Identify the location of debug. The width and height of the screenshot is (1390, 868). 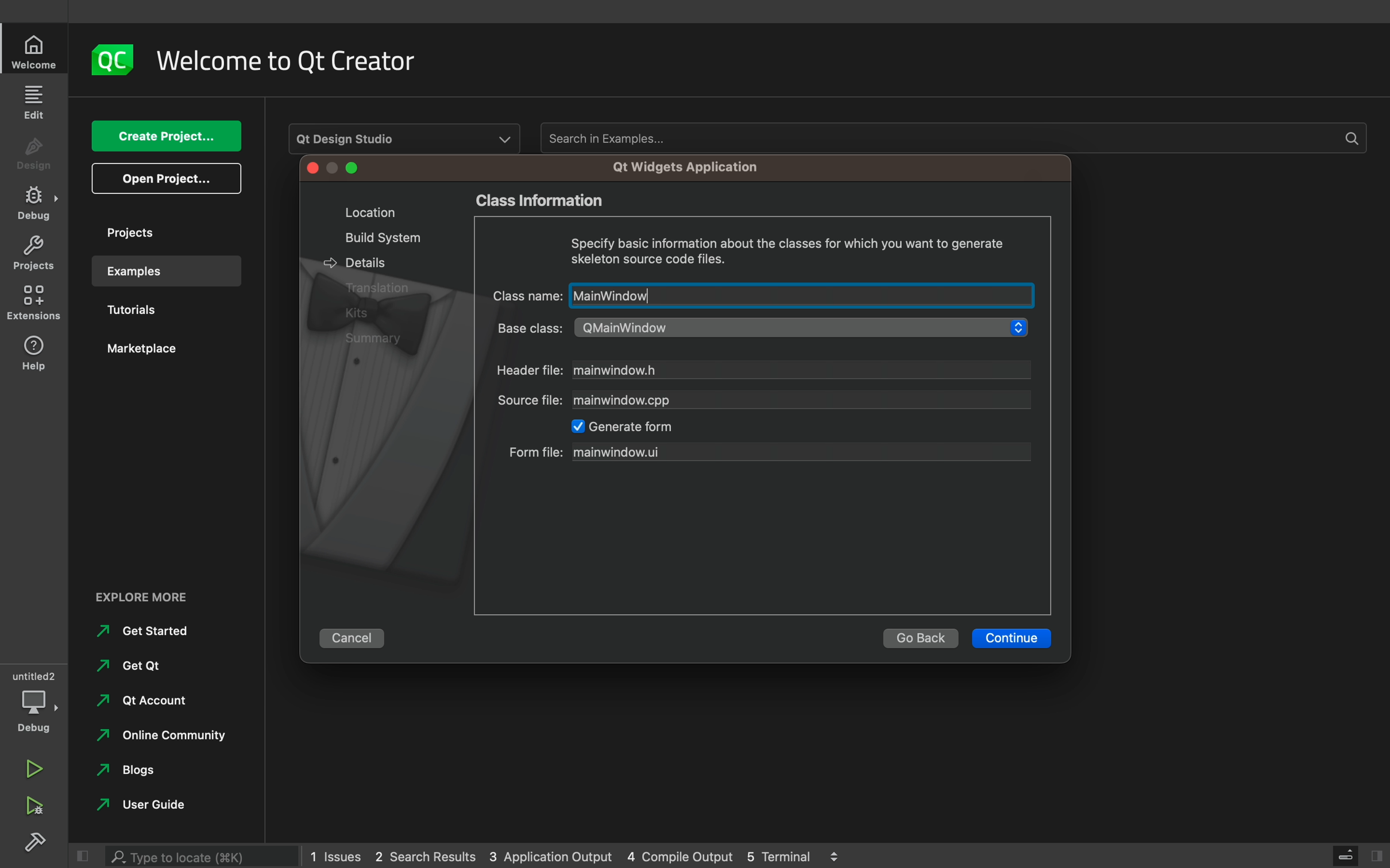
(37, 697).